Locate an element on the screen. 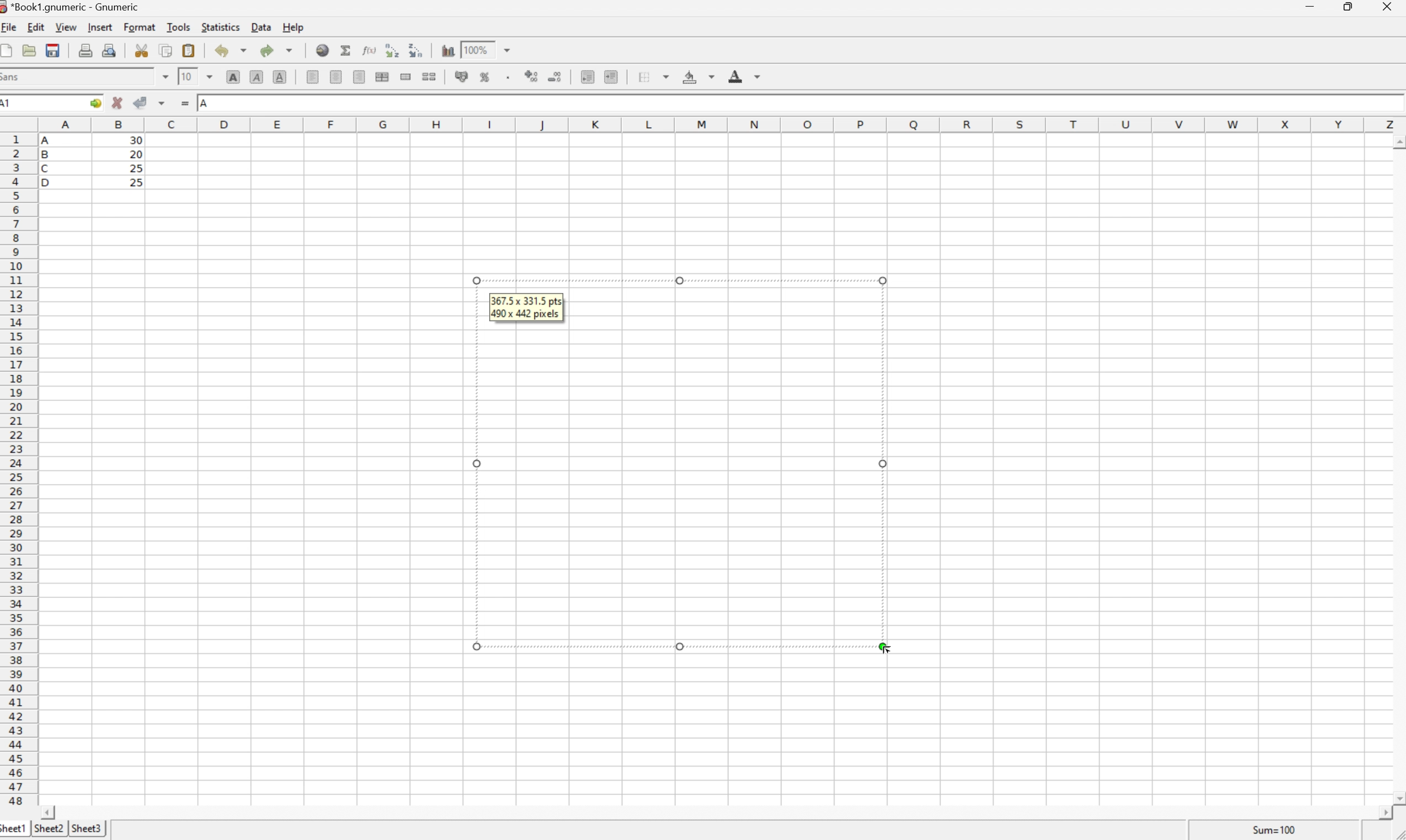 The image size is (1406, 840). Borders is located at coordinates (649, 76).